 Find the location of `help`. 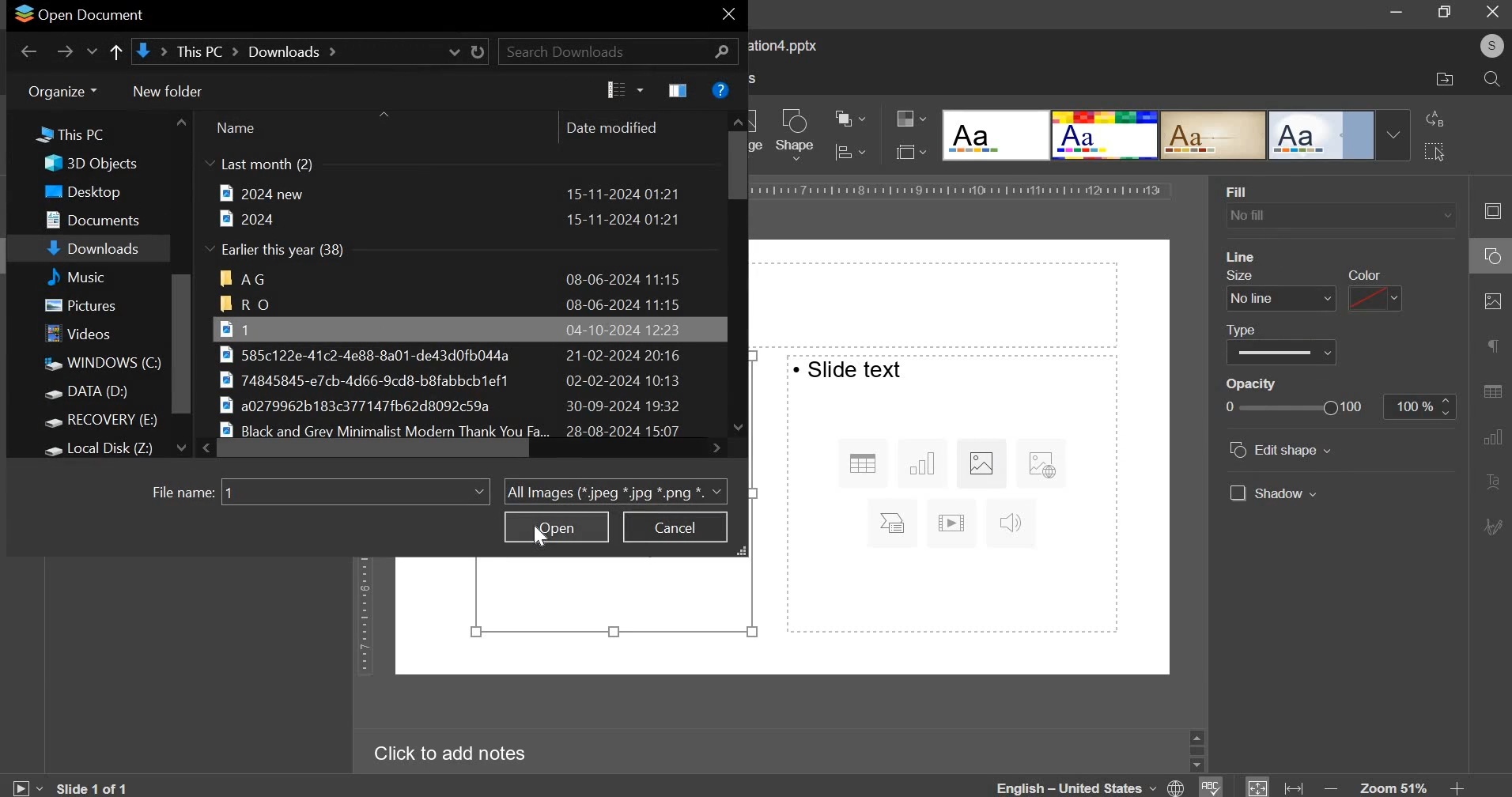

help is located at coordinates (720, 89).